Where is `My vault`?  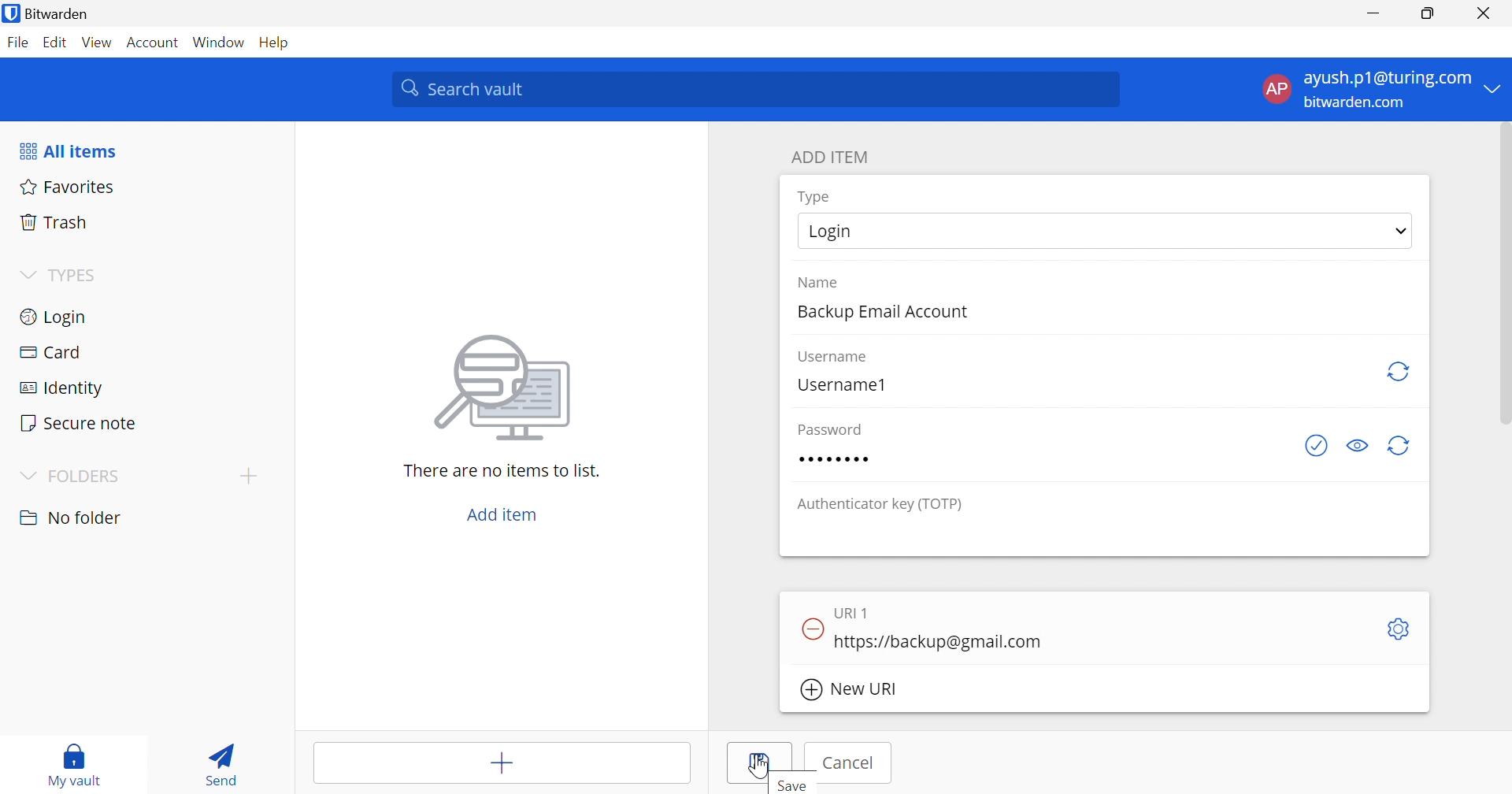
My vault is located at coordinates (74, 766).